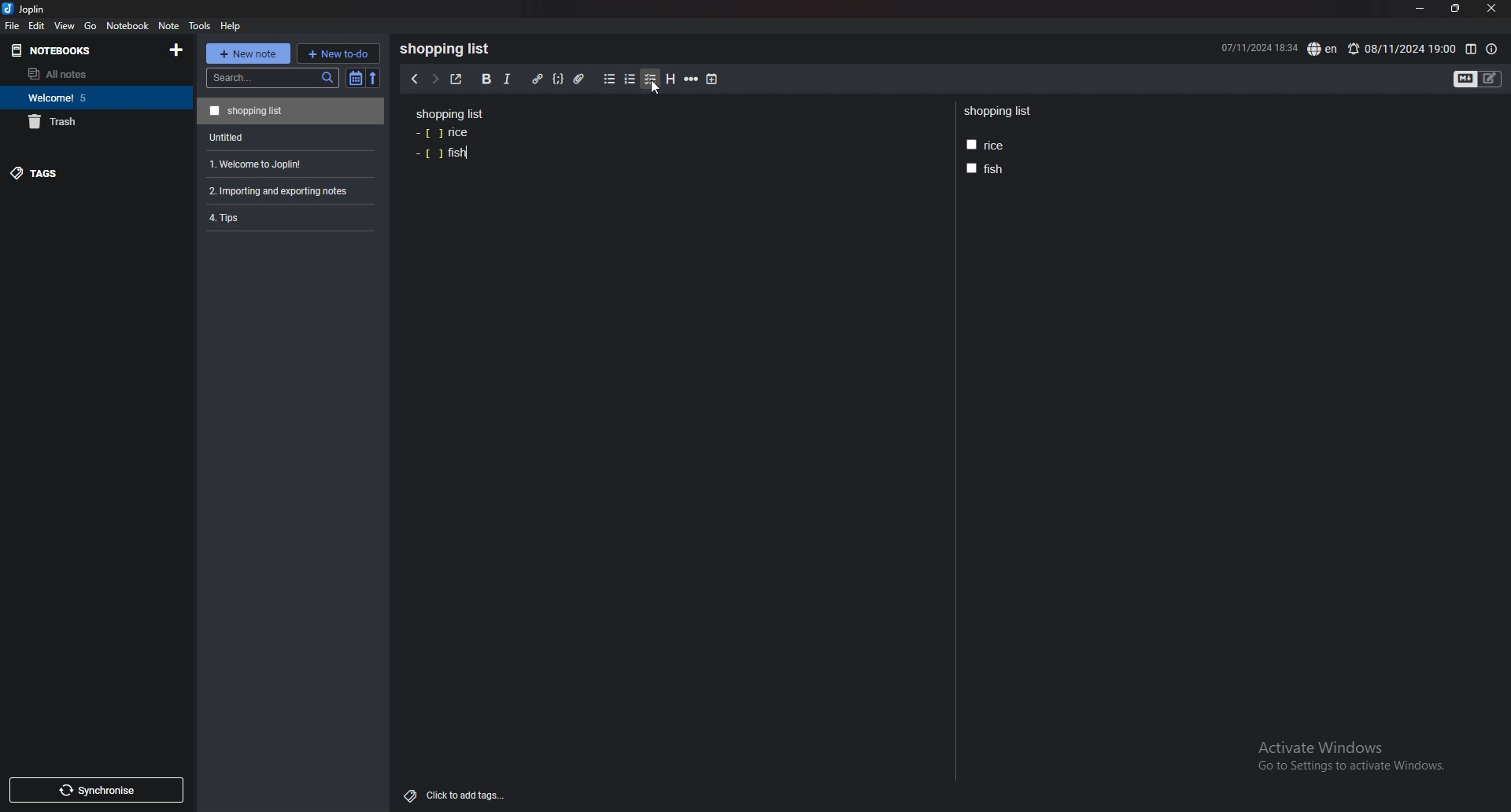 The width and height of the screenshot is (1511, 812). Describe the element at coordinates (1258, 47) in the screenshot. I see `07/11/2024 1833` at that location.